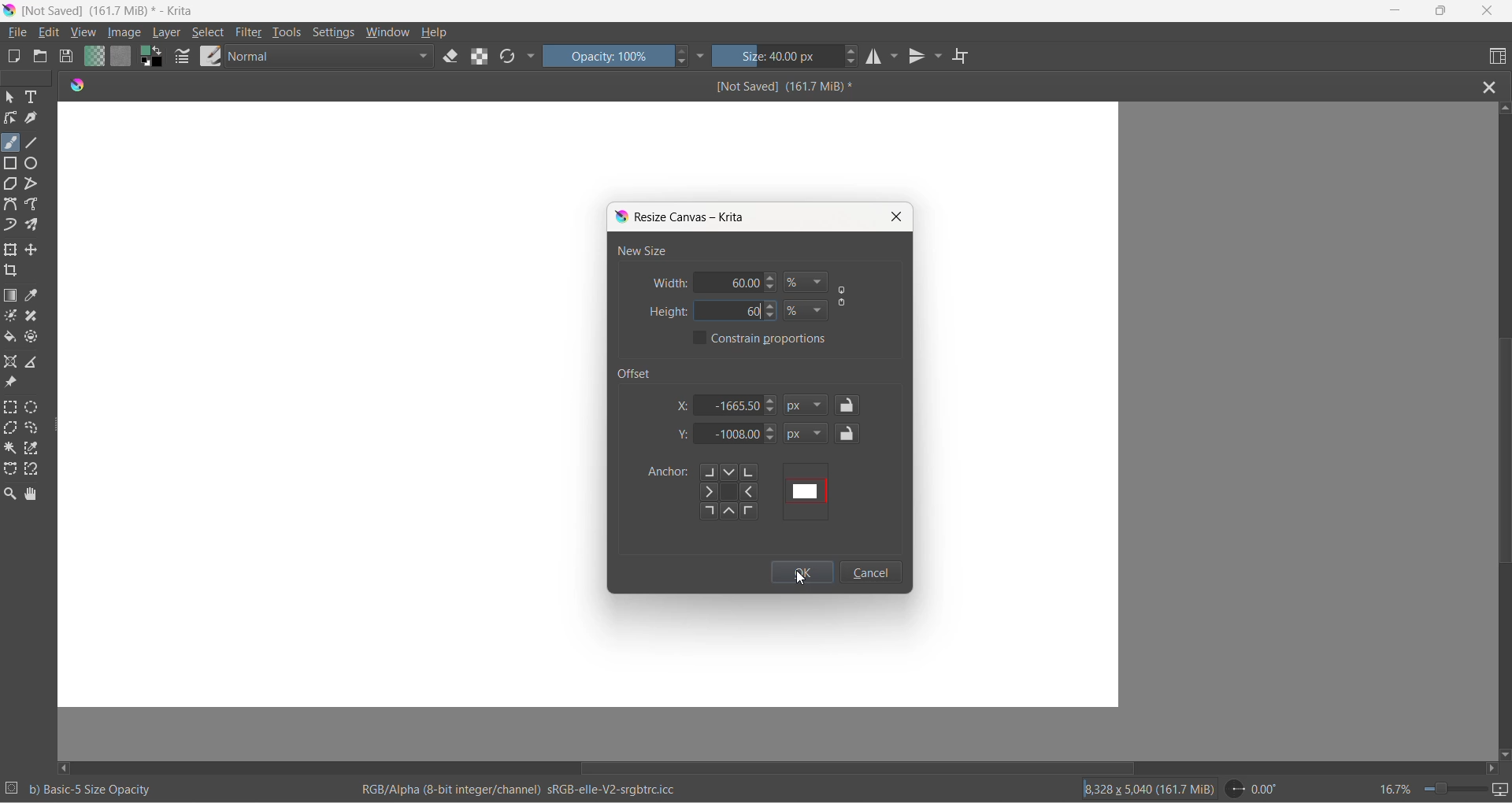  I want to click on calligraphy, so click(31, 118).